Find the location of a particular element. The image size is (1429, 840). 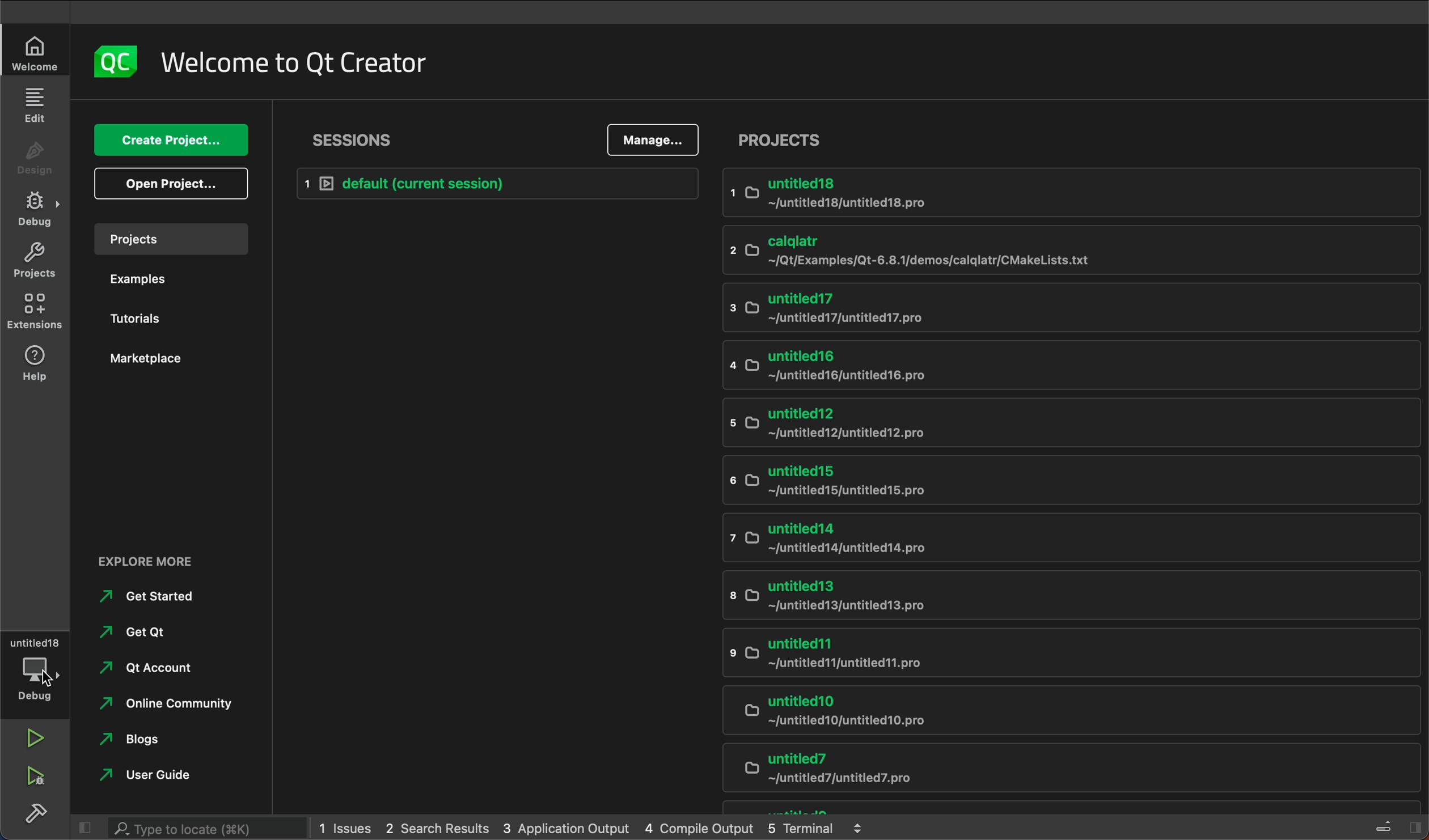

marketplace is located at coordinates (163, 368).